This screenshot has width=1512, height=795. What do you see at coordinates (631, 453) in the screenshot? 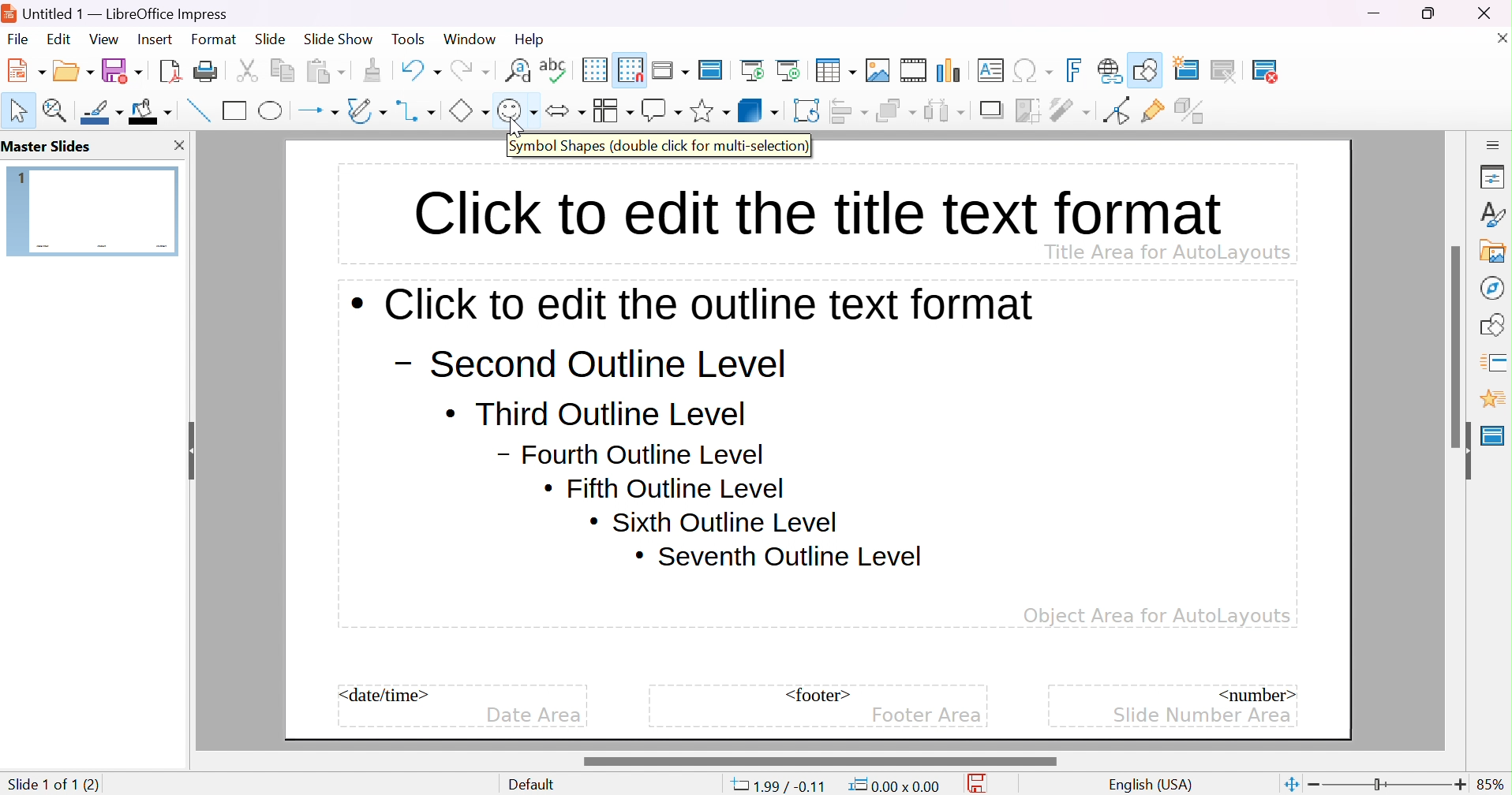
I see `fourth outline level` at bounding box center [631, 453].